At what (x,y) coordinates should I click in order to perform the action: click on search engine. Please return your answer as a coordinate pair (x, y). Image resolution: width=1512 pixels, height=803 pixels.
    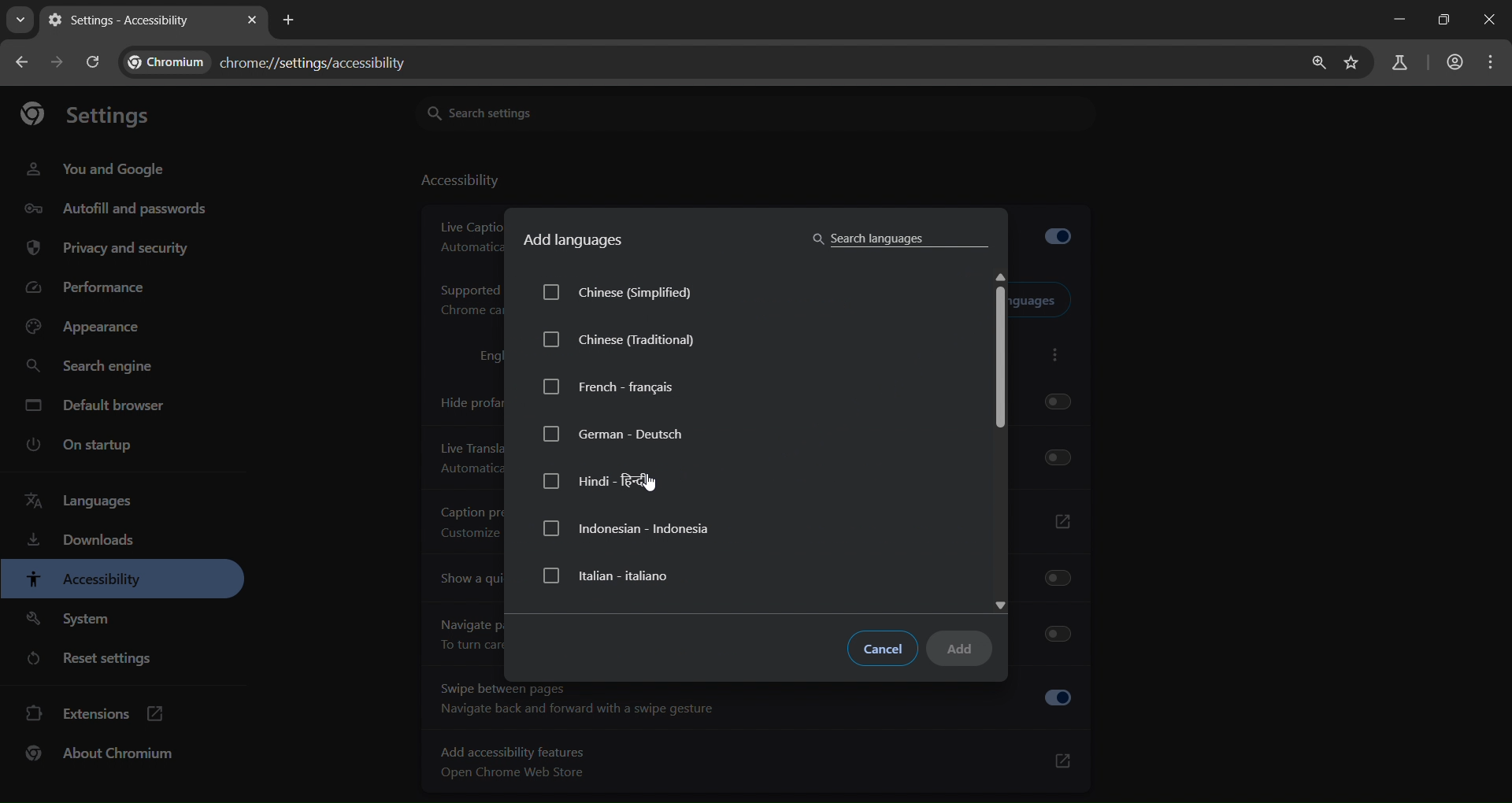
    Looking at the image, I should click on (91, 368).